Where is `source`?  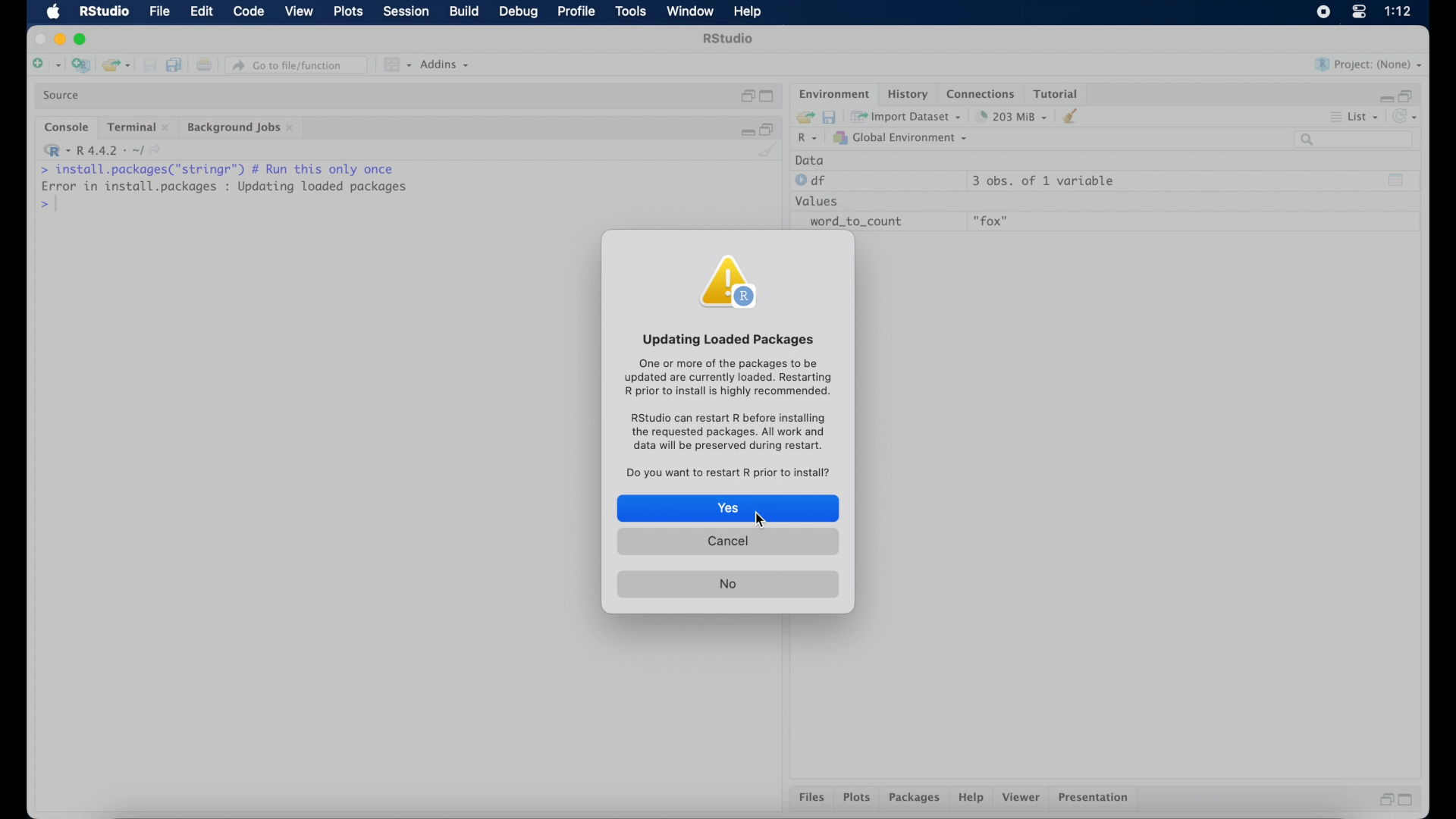
source is located at coordinates (63, 96).